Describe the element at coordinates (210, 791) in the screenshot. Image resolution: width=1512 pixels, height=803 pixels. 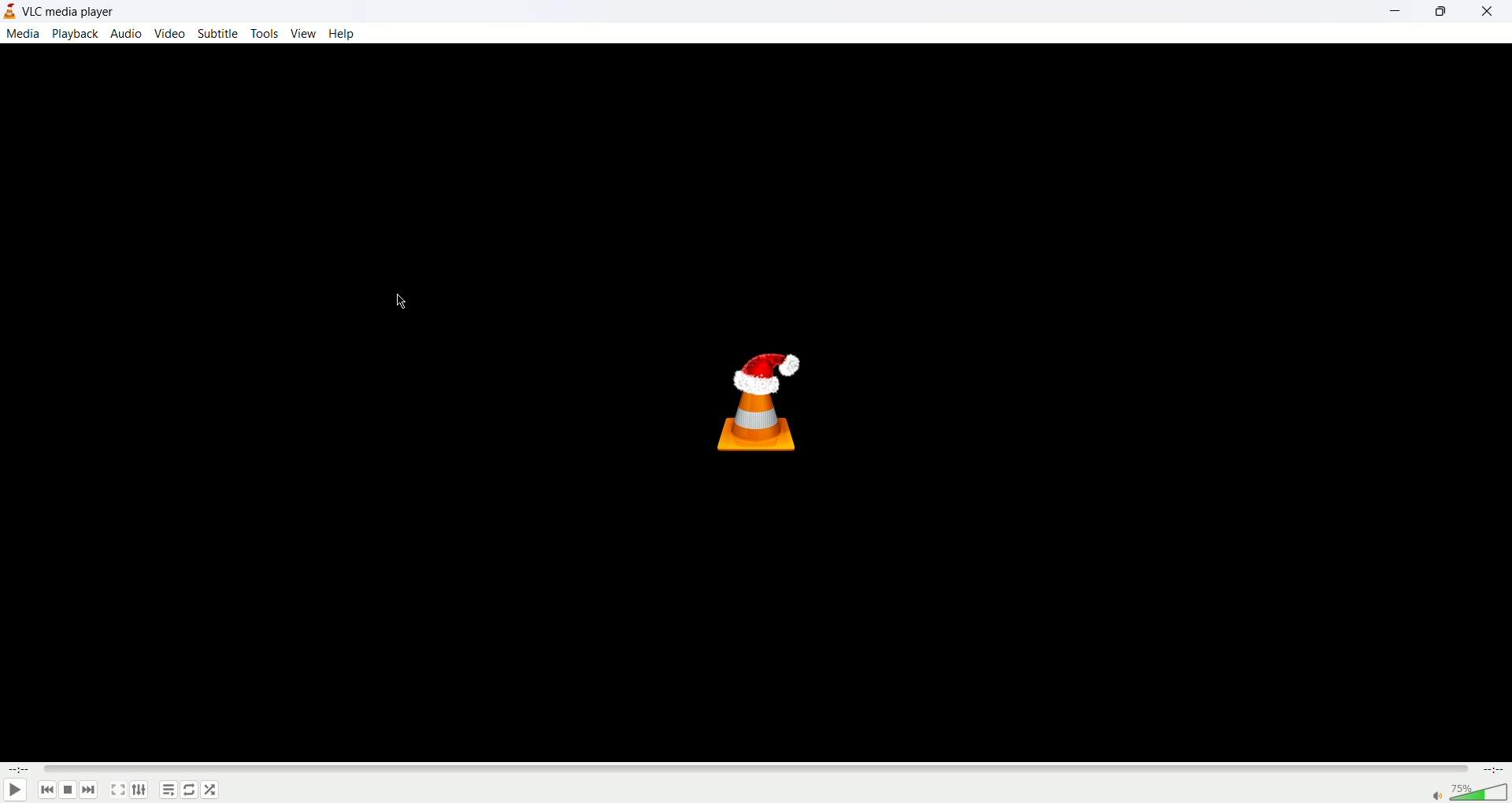
I see `random` at that location.